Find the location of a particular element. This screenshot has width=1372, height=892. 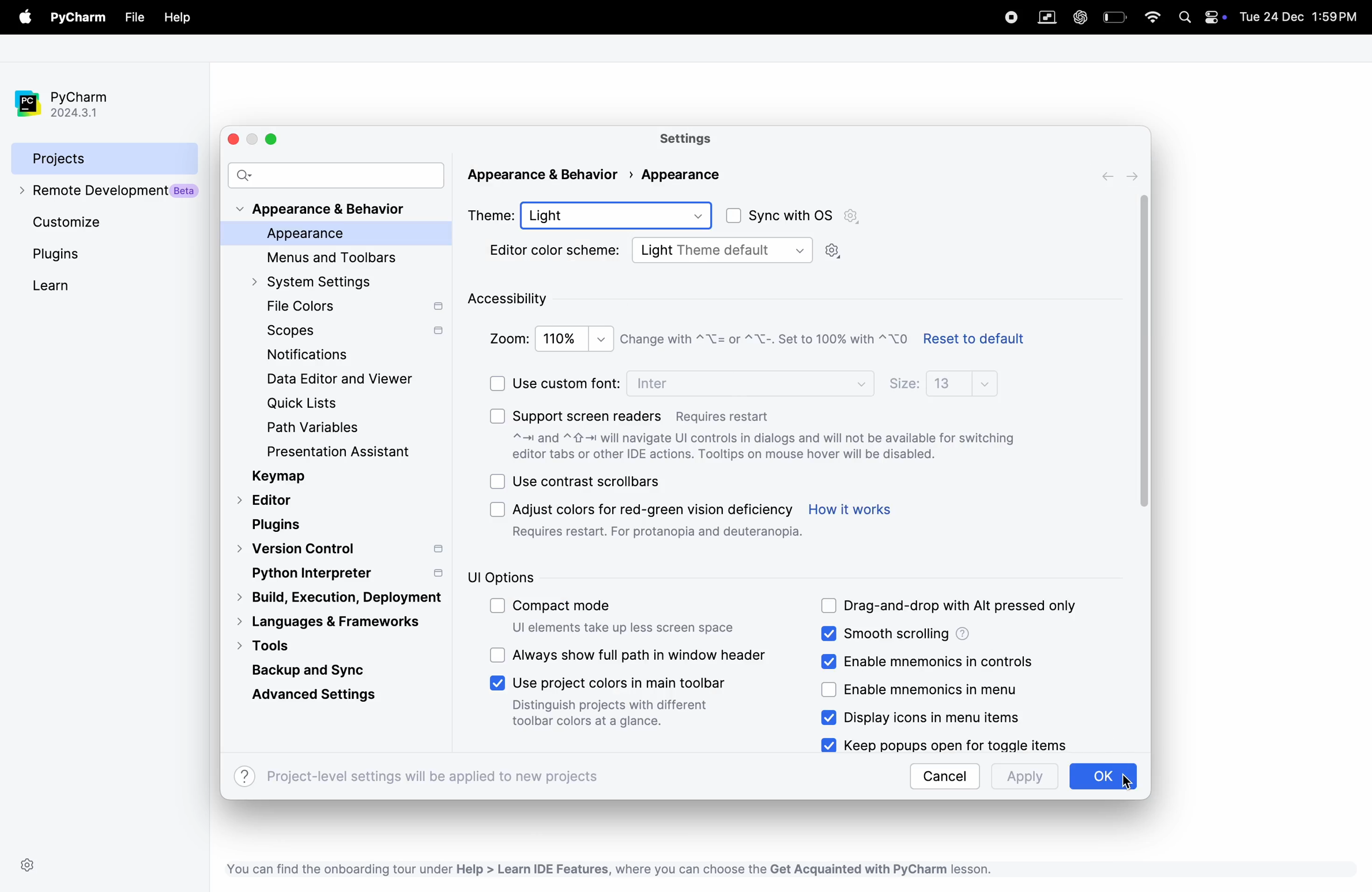

Project-level settings will be applied to new projects. is located at coordinates (443, 777).